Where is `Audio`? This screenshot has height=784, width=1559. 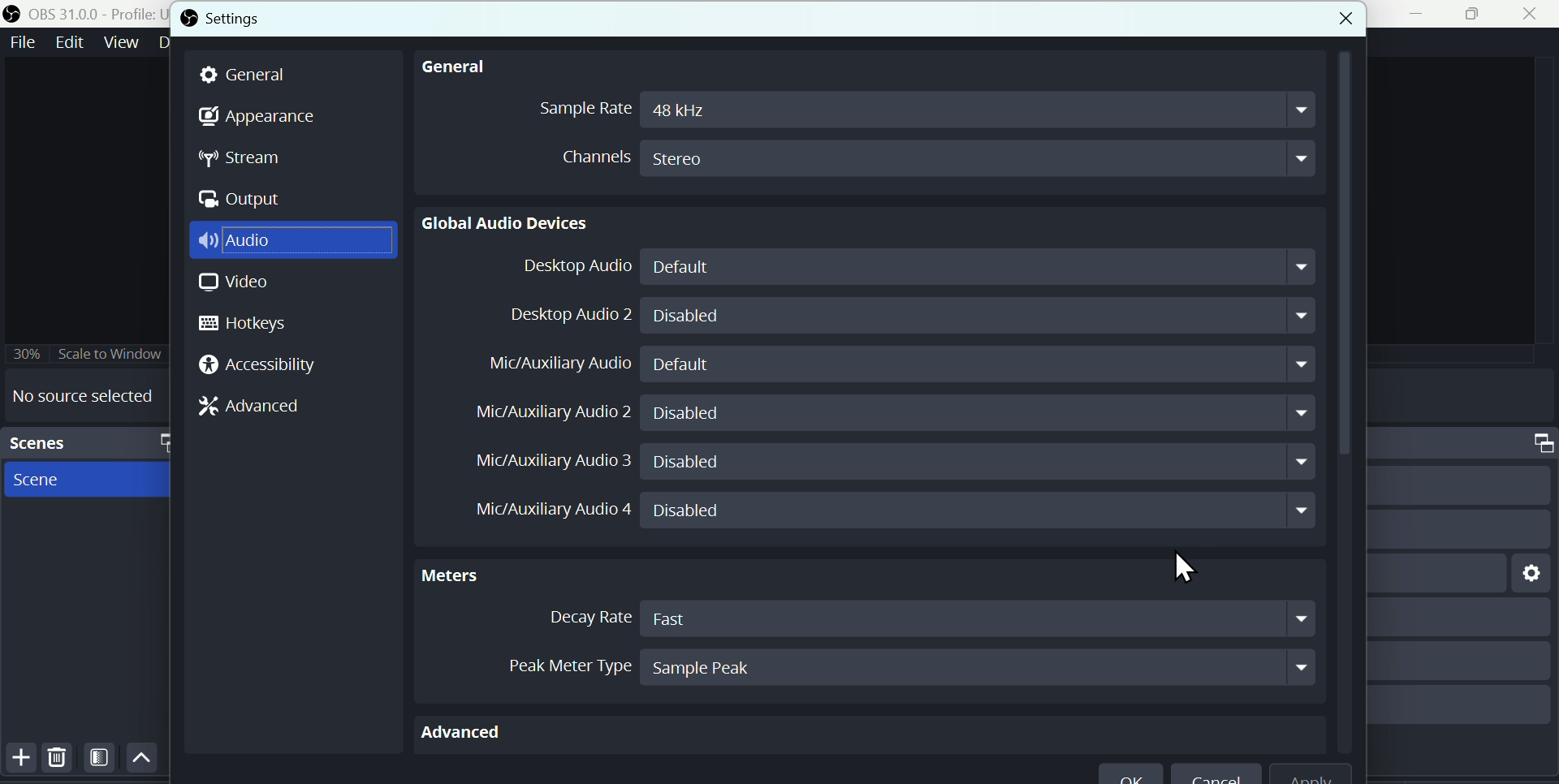 Audio is located at coordinates (242, 242).